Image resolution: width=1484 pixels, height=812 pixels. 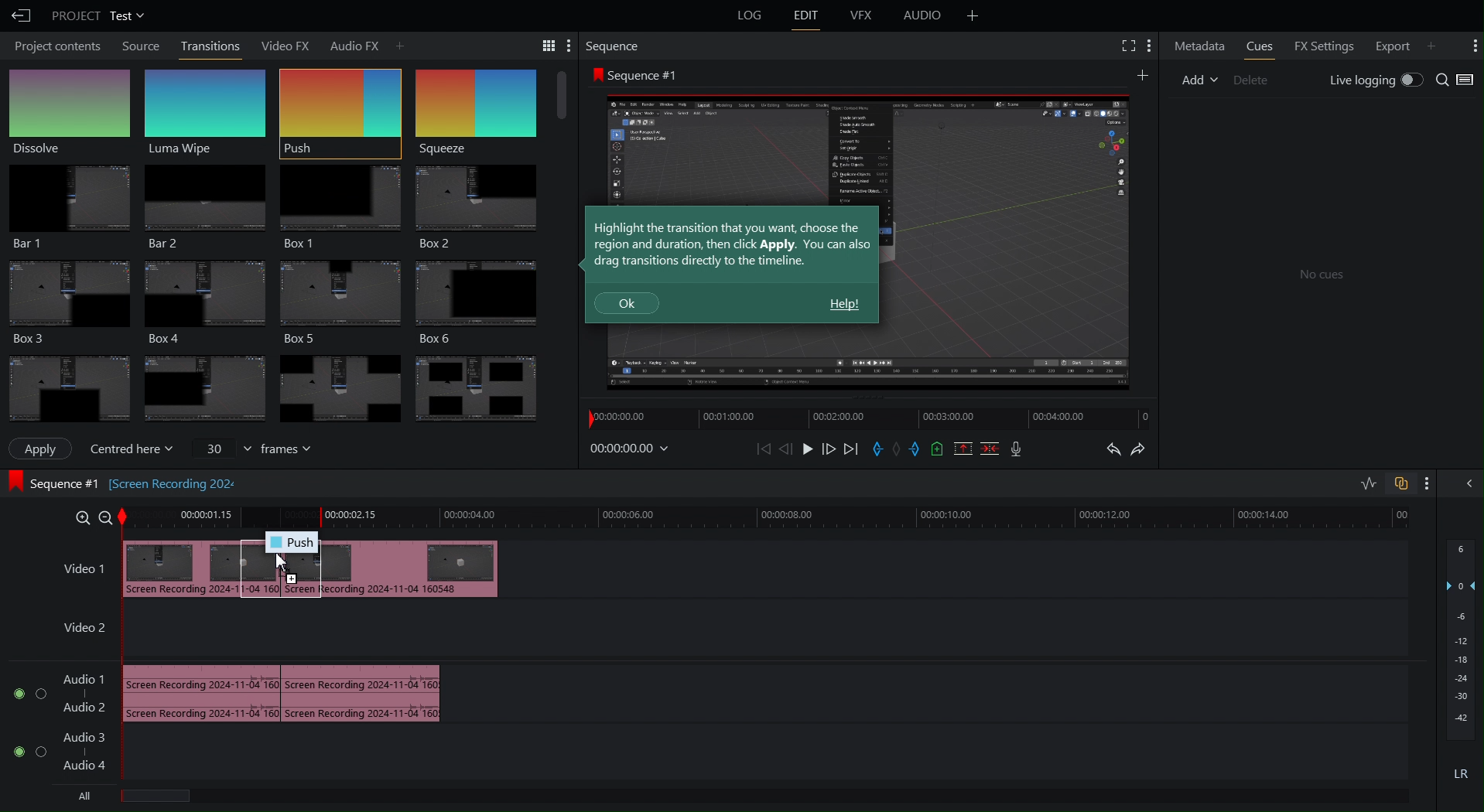 What do you see at coordinates (614, 46) in the screenshot?
I see `Sequence` at bounding box center [614, 46].